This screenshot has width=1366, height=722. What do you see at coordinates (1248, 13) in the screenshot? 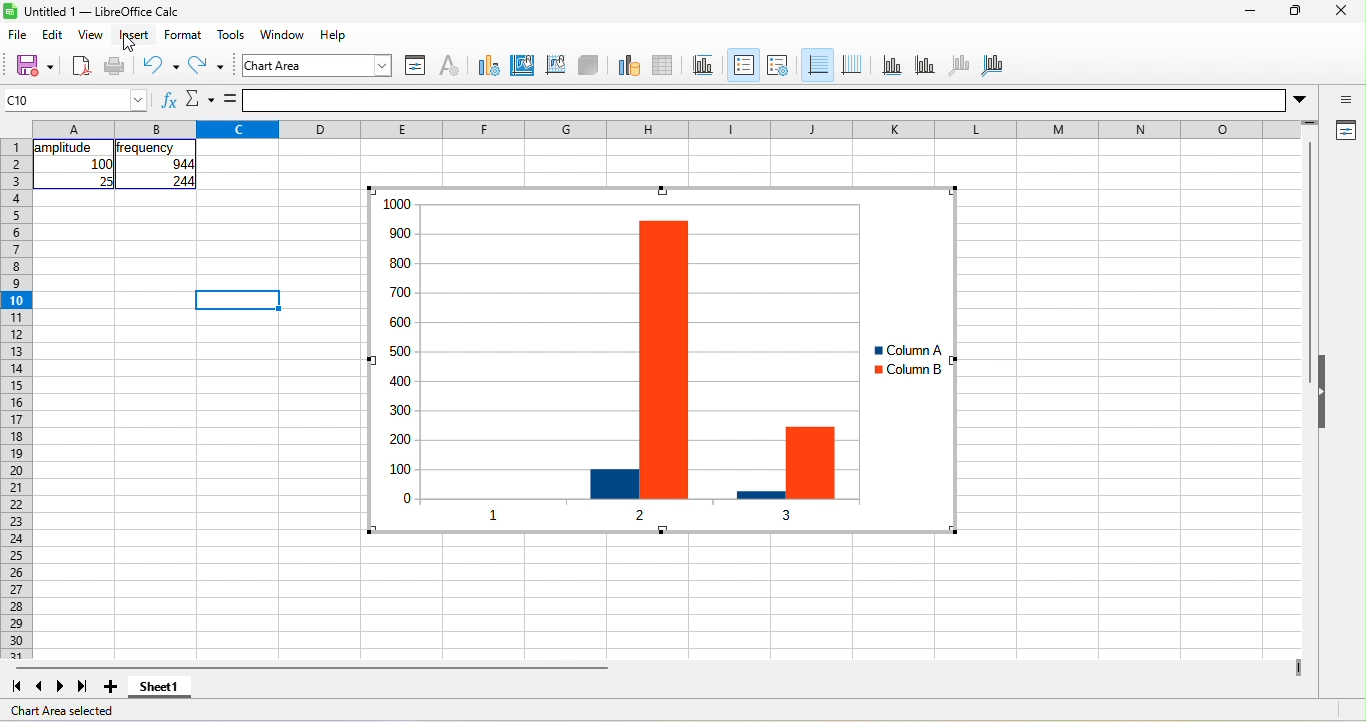
I see `minimize` at bounding box center [1248, 13].